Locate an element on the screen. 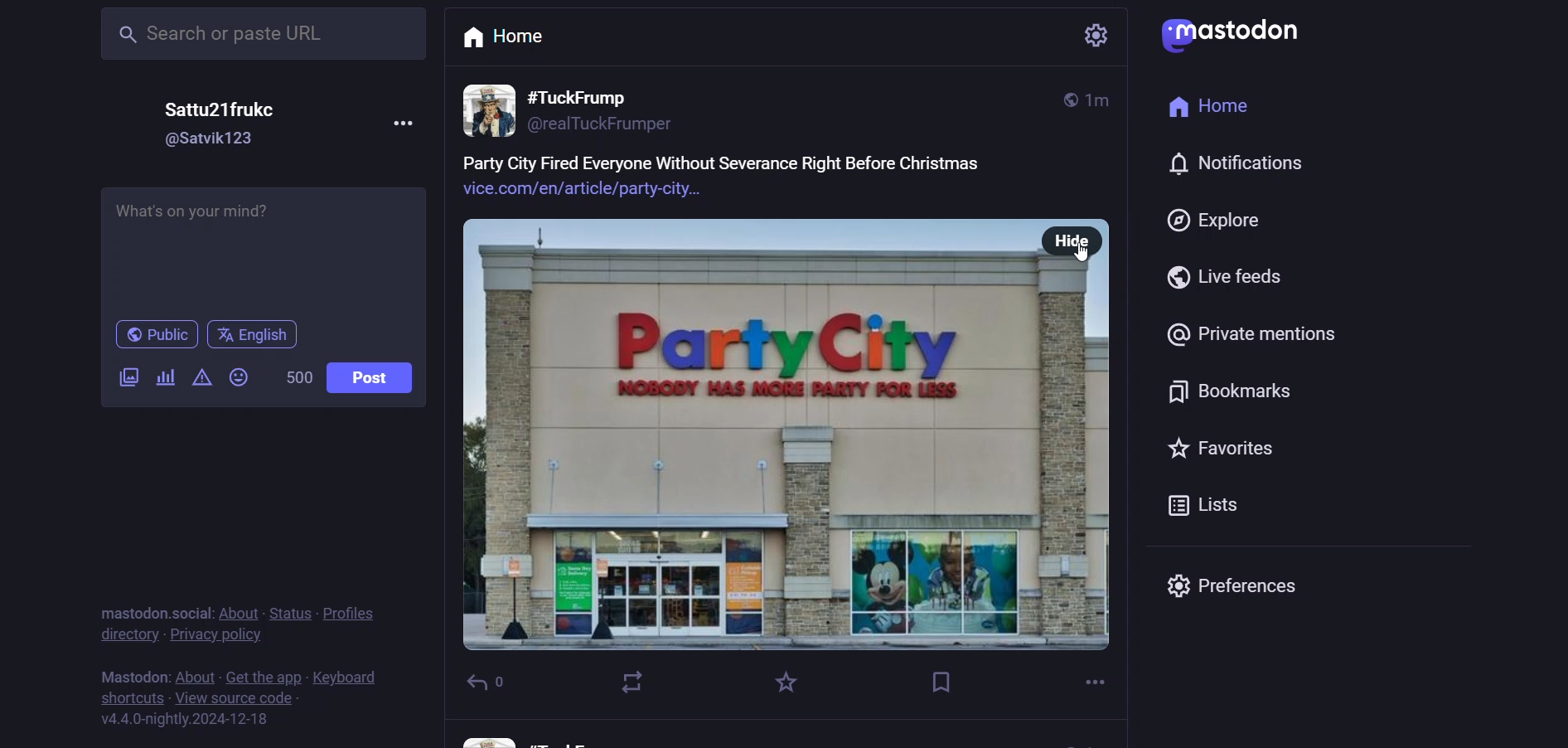  shortucts is located at coordinates (122, 697).